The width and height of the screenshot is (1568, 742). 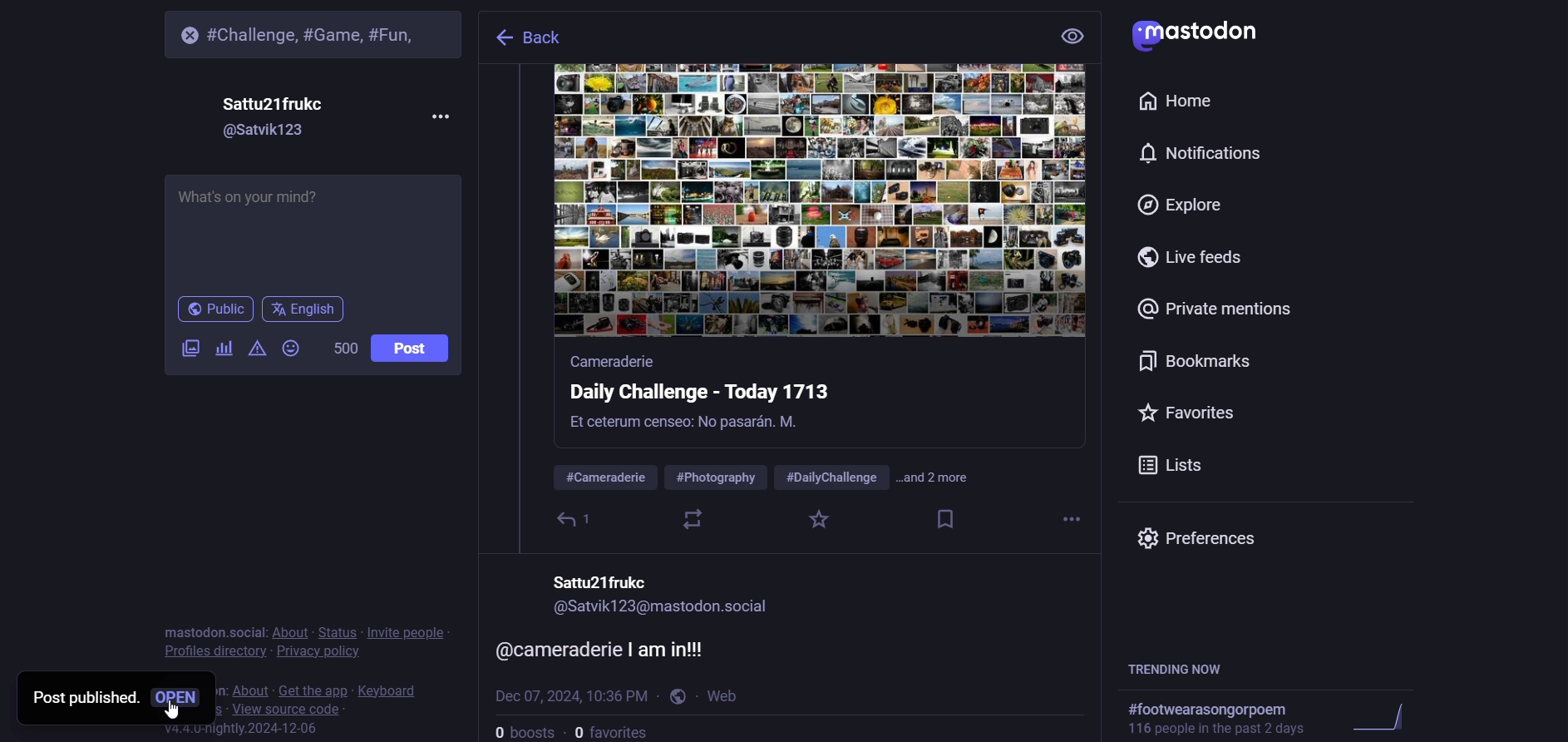 What do you see at coordinates (214, 651) in the screenshot?
I see `profile` at bounding box center [214, 651].